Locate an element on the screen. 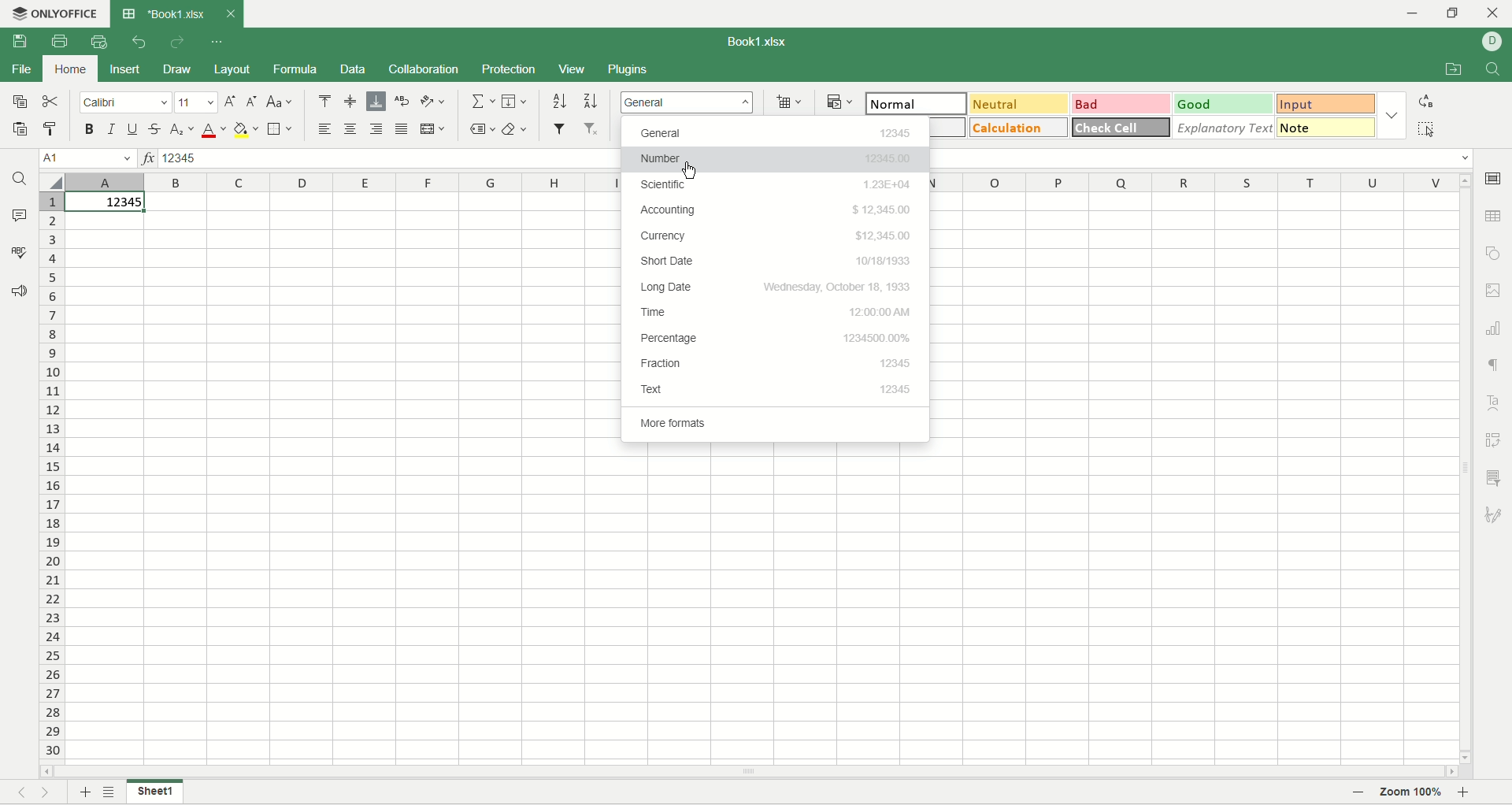 The height and width of the screenshot is (805, 1512). bad is located at coordinates (1122, 102).